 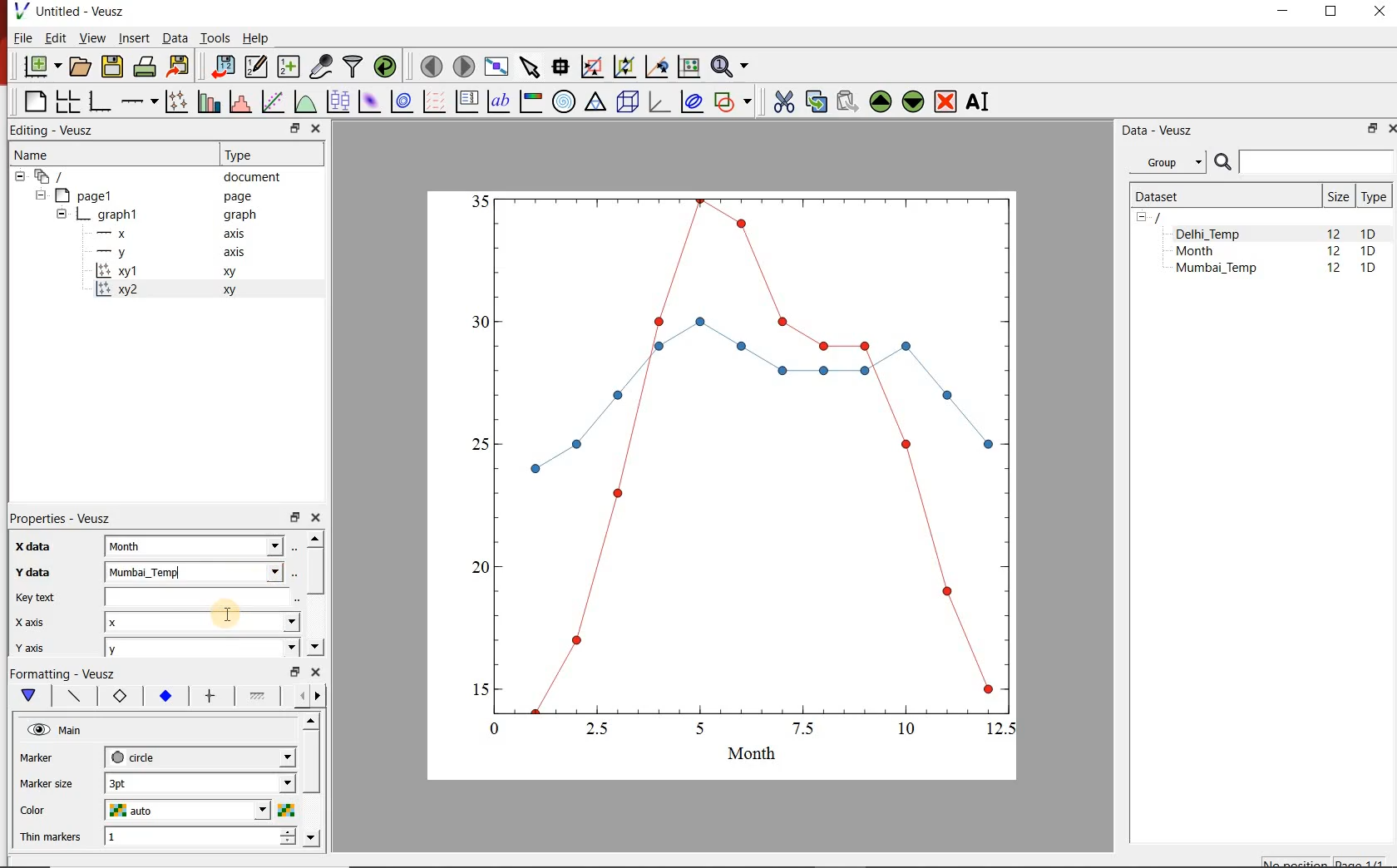 I want to click on arrange graphs in a grid, so click(x=67, y=101).